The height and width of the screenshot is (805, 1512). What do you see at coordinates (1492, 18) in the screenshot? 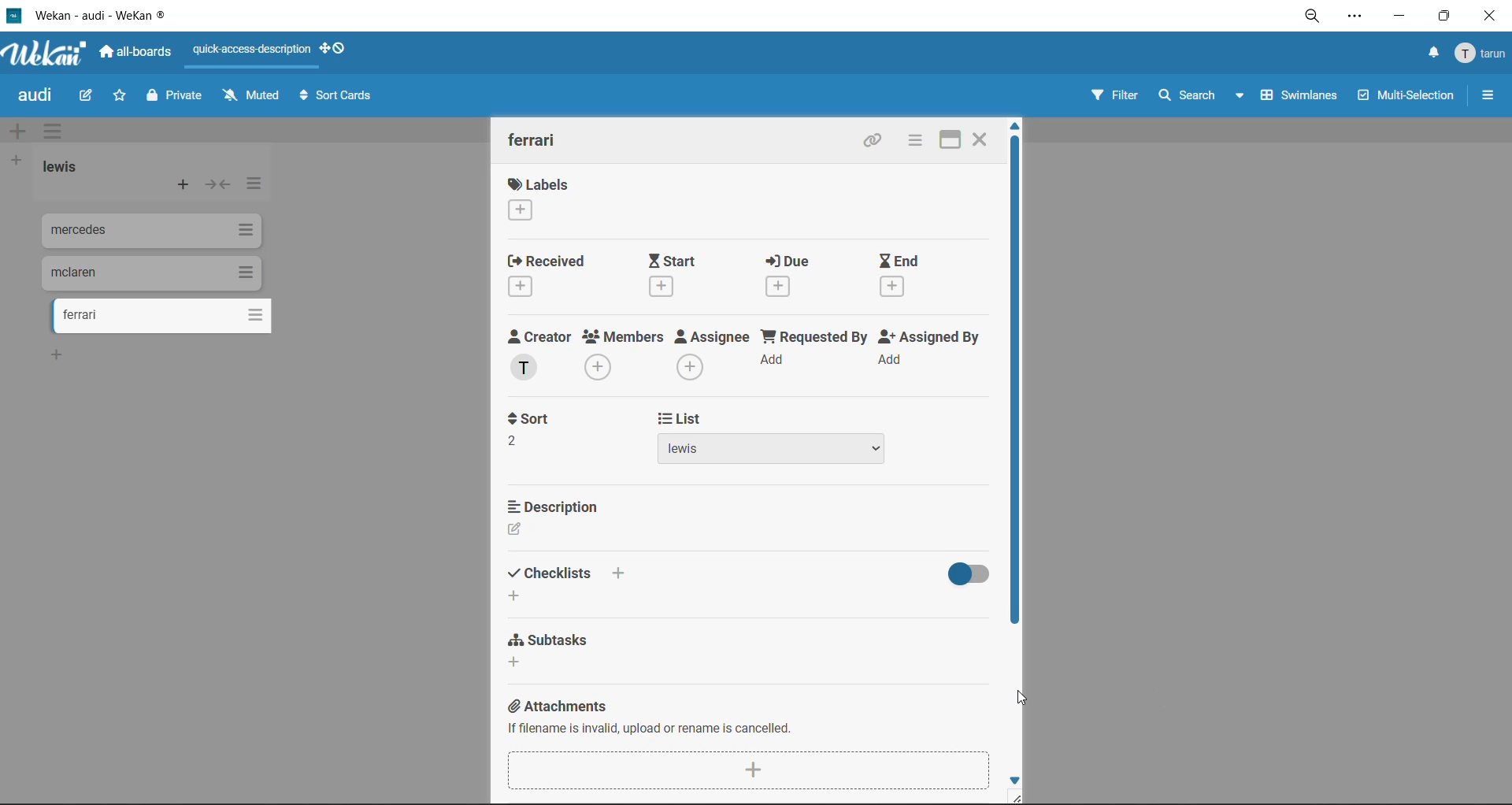
I see `close` at bounding box center [1492, 18].